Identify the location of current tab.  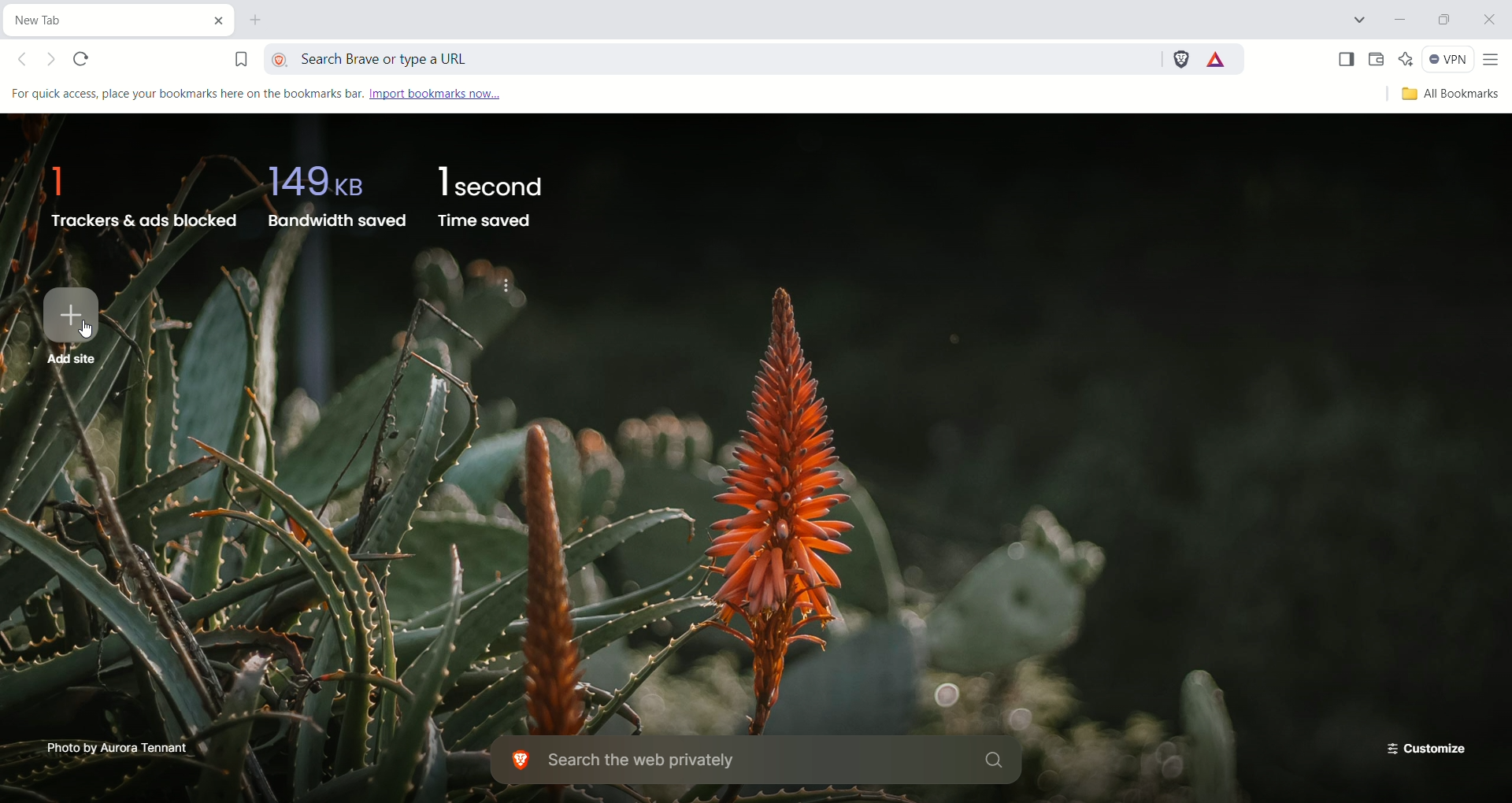
(106, 18).